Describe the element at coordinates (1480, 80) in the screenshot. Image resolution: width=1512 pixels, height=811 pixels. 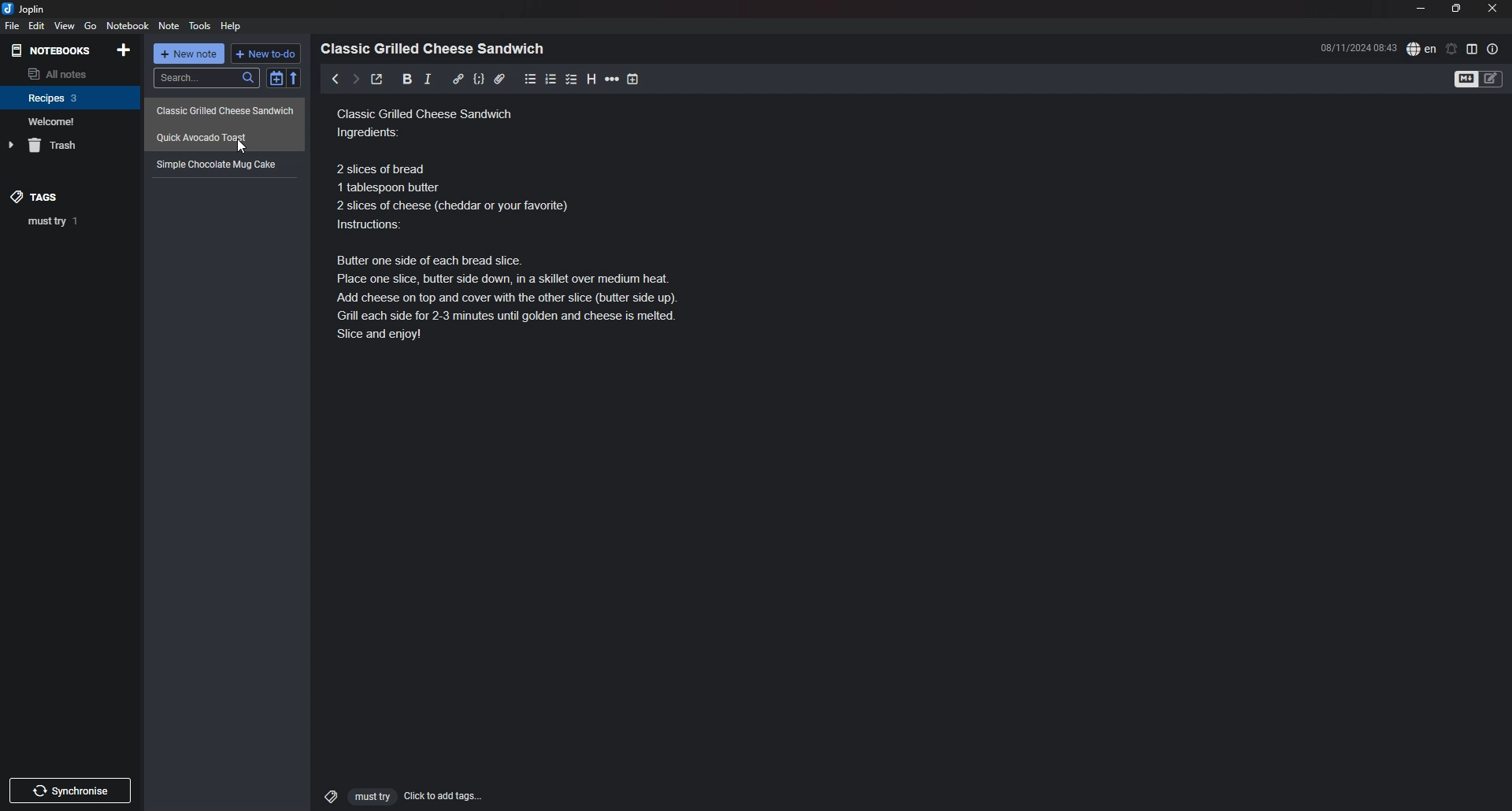
I see `toggle editor` at that location.